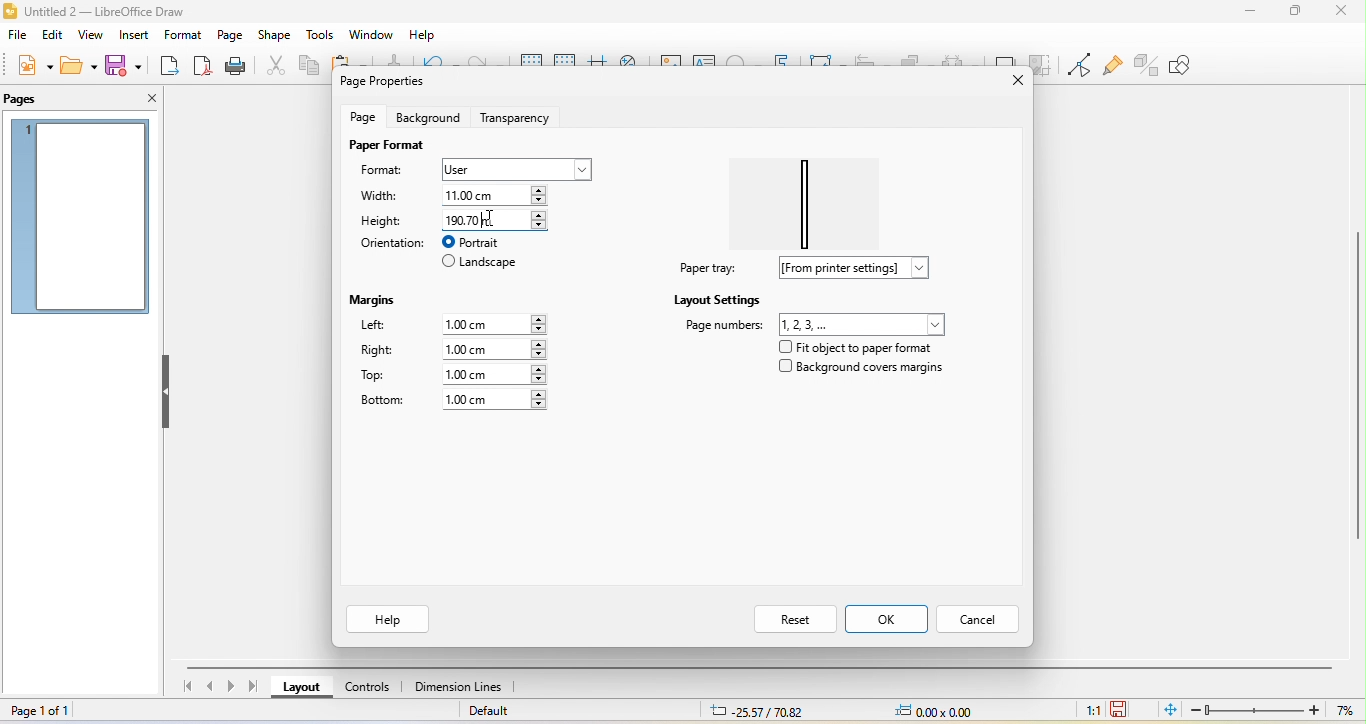 The height and width of the screenshot is (724, 1366). What do you see at coordinates (368, 690) in the screenshot?
I see `control` at bounding box center [368, 690].